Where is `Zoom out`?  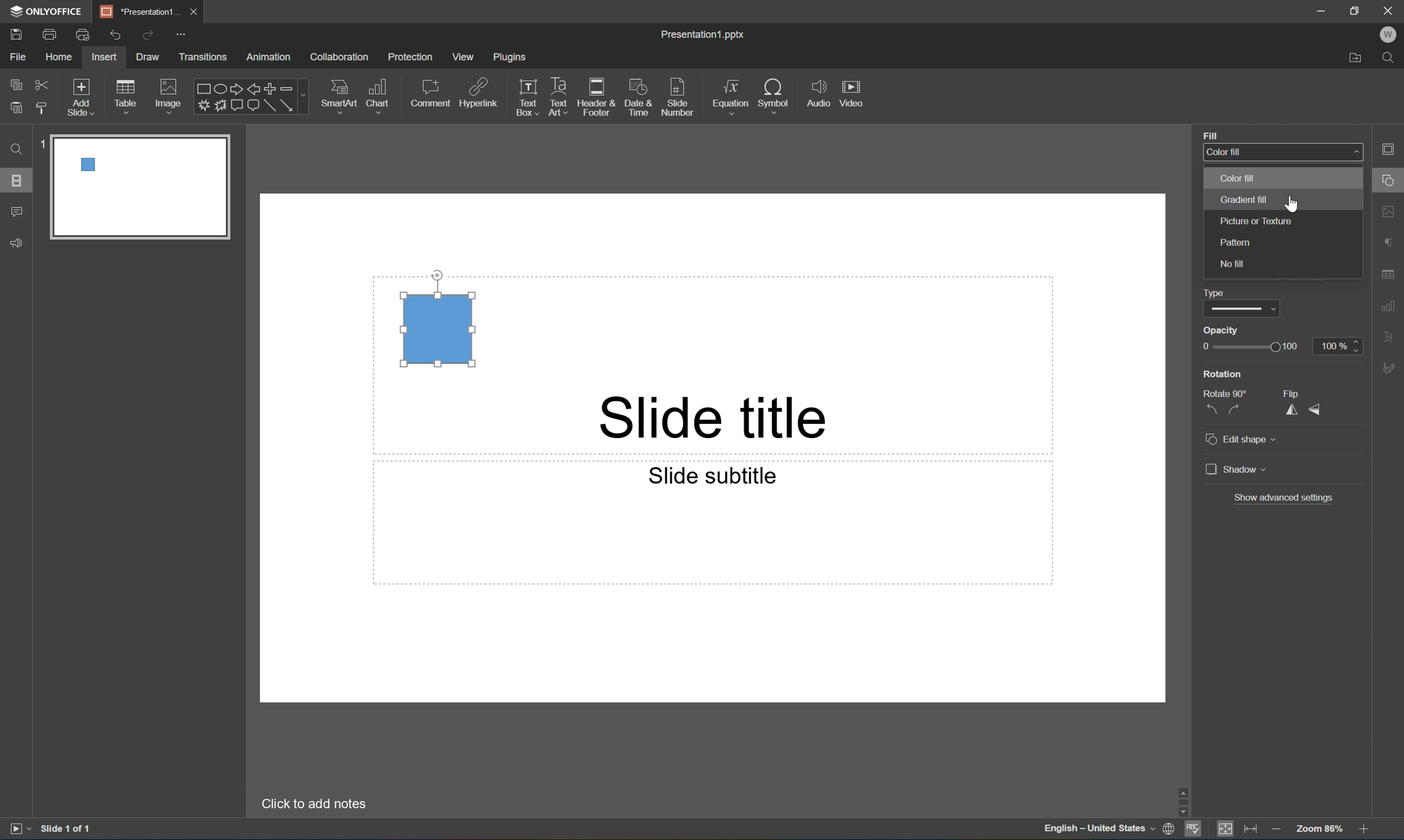
Zoom out is located at coordinates (1273, 827).